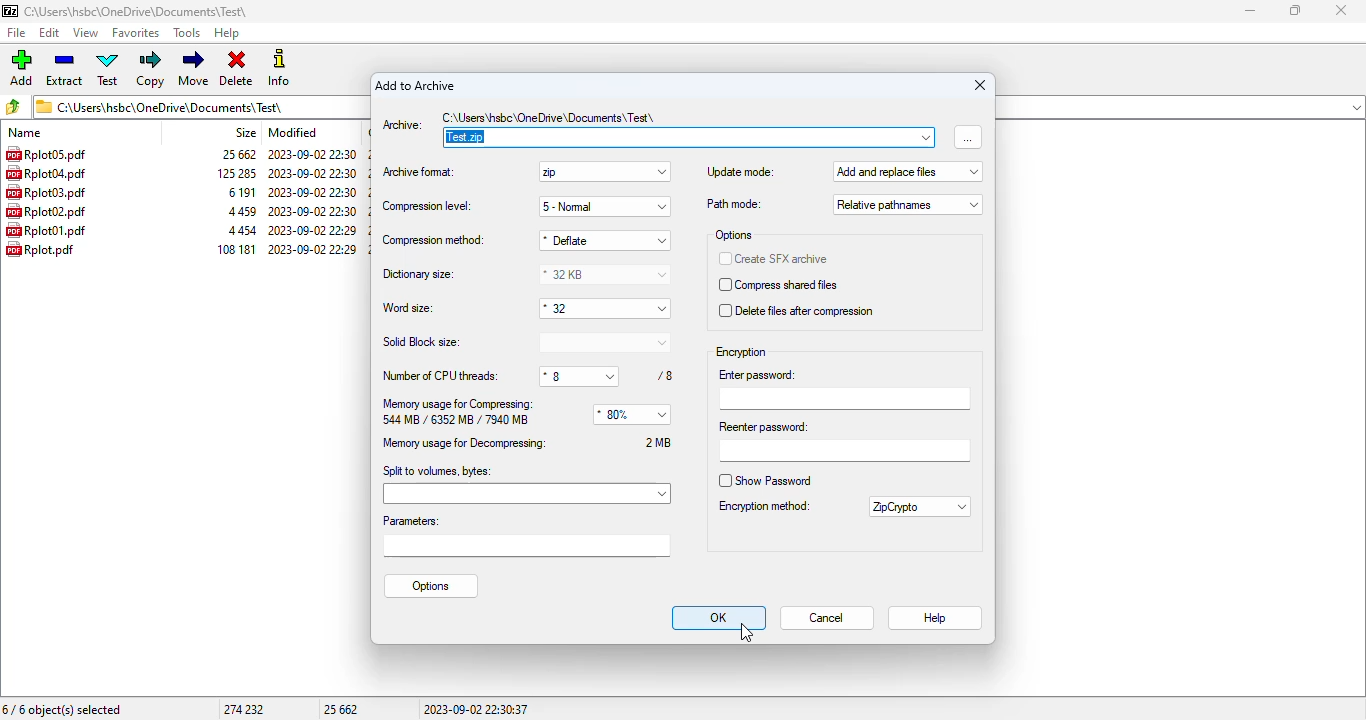 The width and height of the screenshot is (1366, 720). Describe the element at coordinates (188, 33) in the screenshot. I see `tools` at that location.